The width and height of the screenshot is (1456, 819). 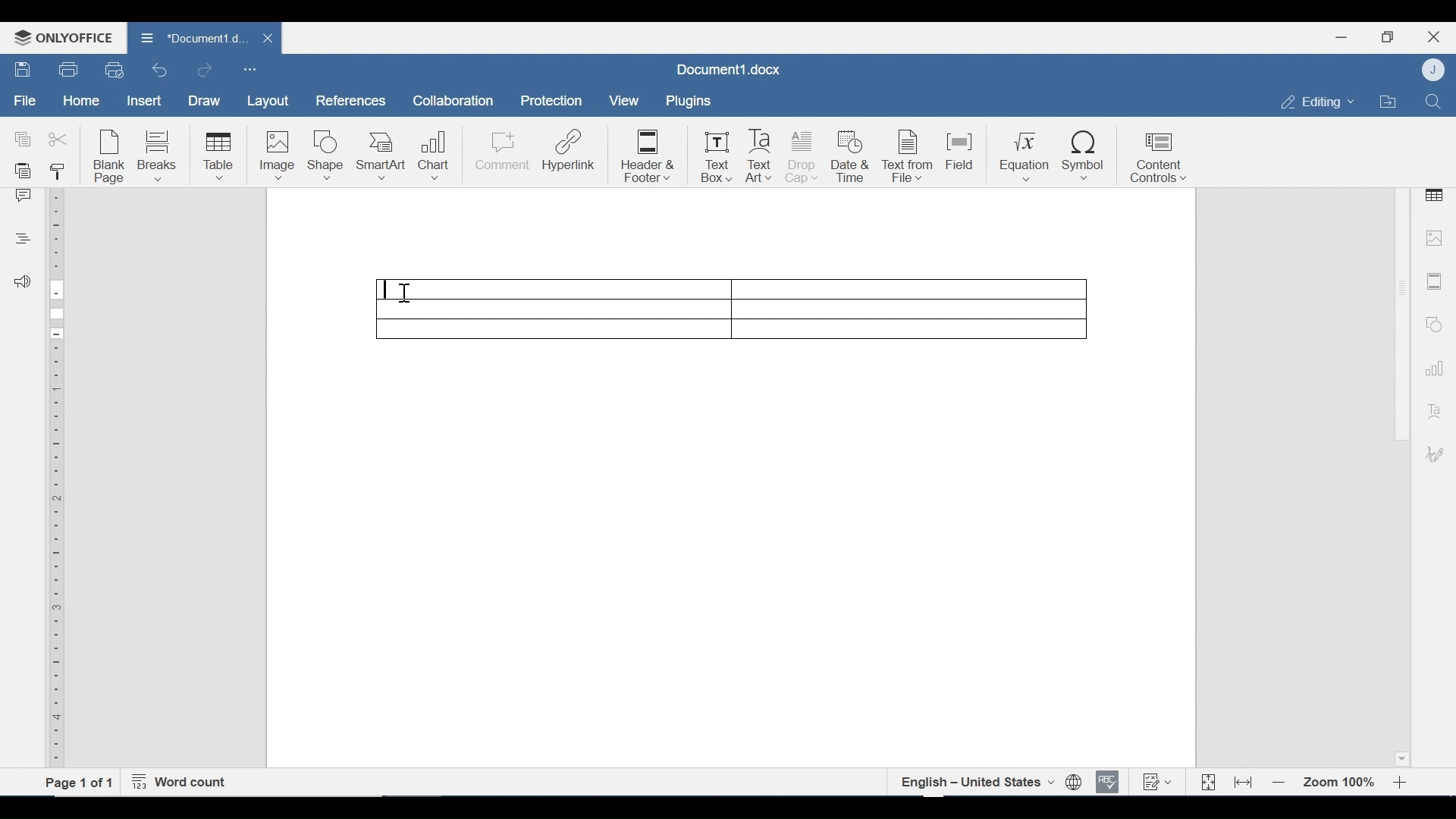 I want to click on Plugins, so click(x=686, y=102).